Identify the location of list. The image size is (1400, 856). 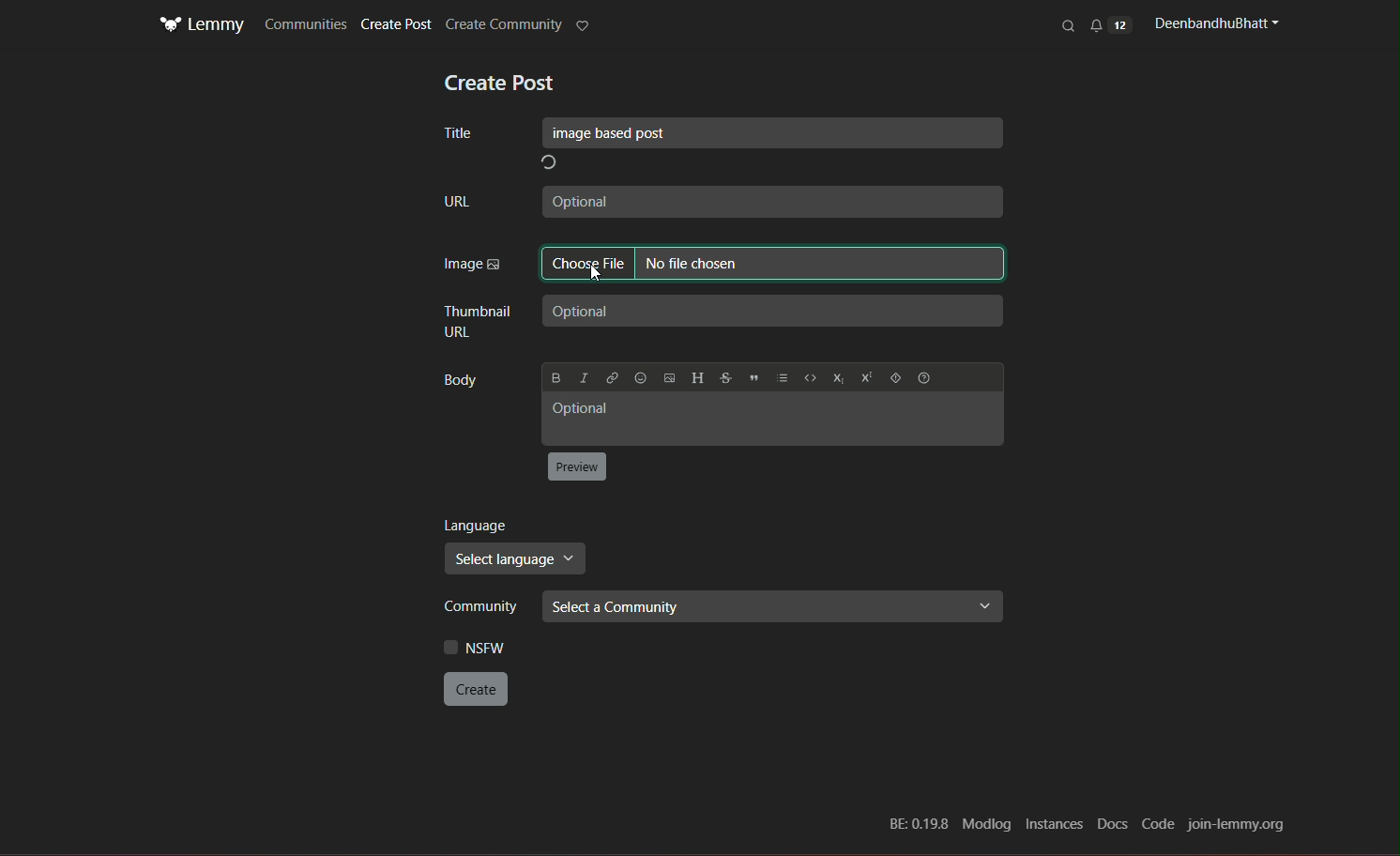
(784, 373).